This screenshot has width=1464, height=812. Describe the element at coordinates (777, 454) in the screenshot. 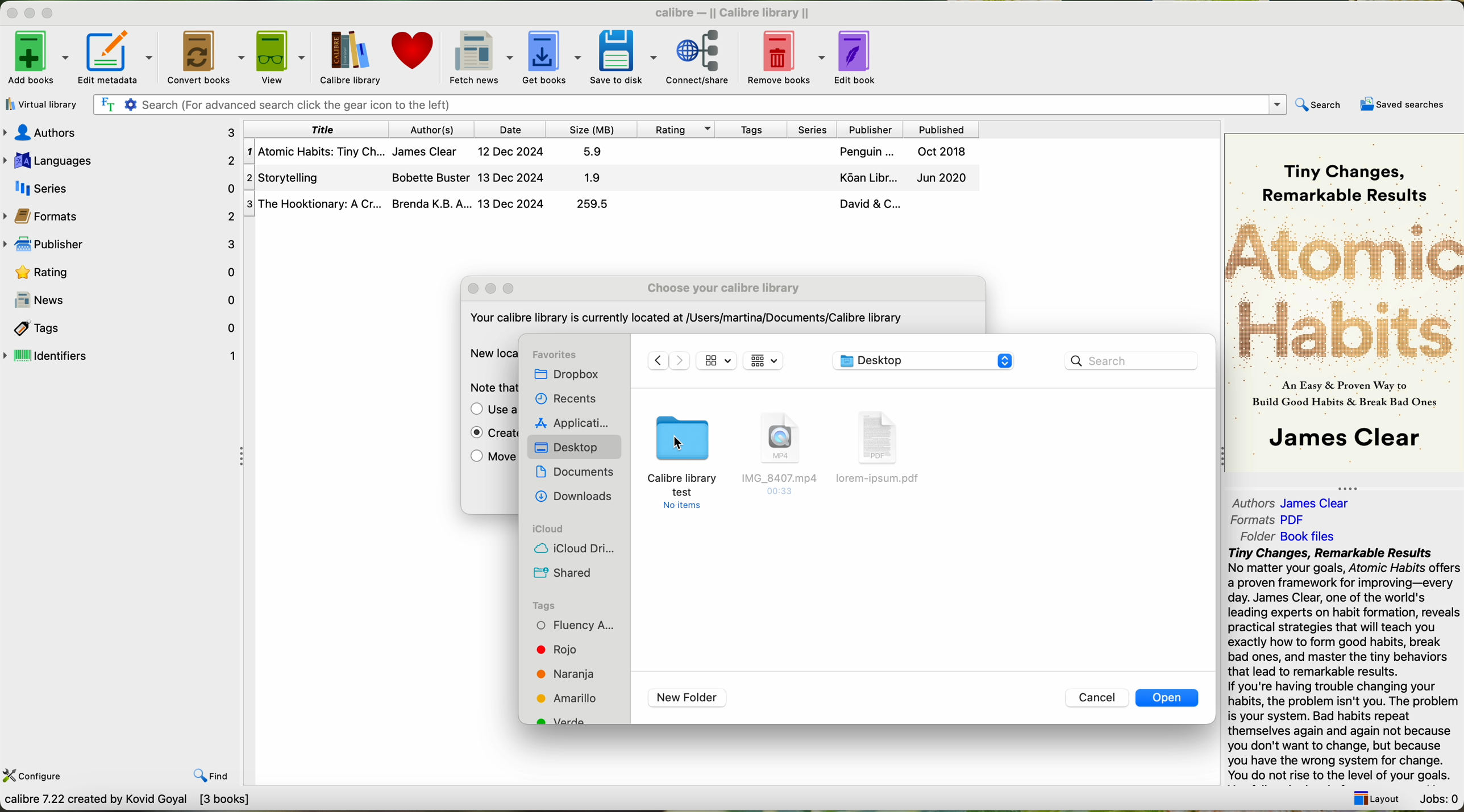

I see `file` at that location.